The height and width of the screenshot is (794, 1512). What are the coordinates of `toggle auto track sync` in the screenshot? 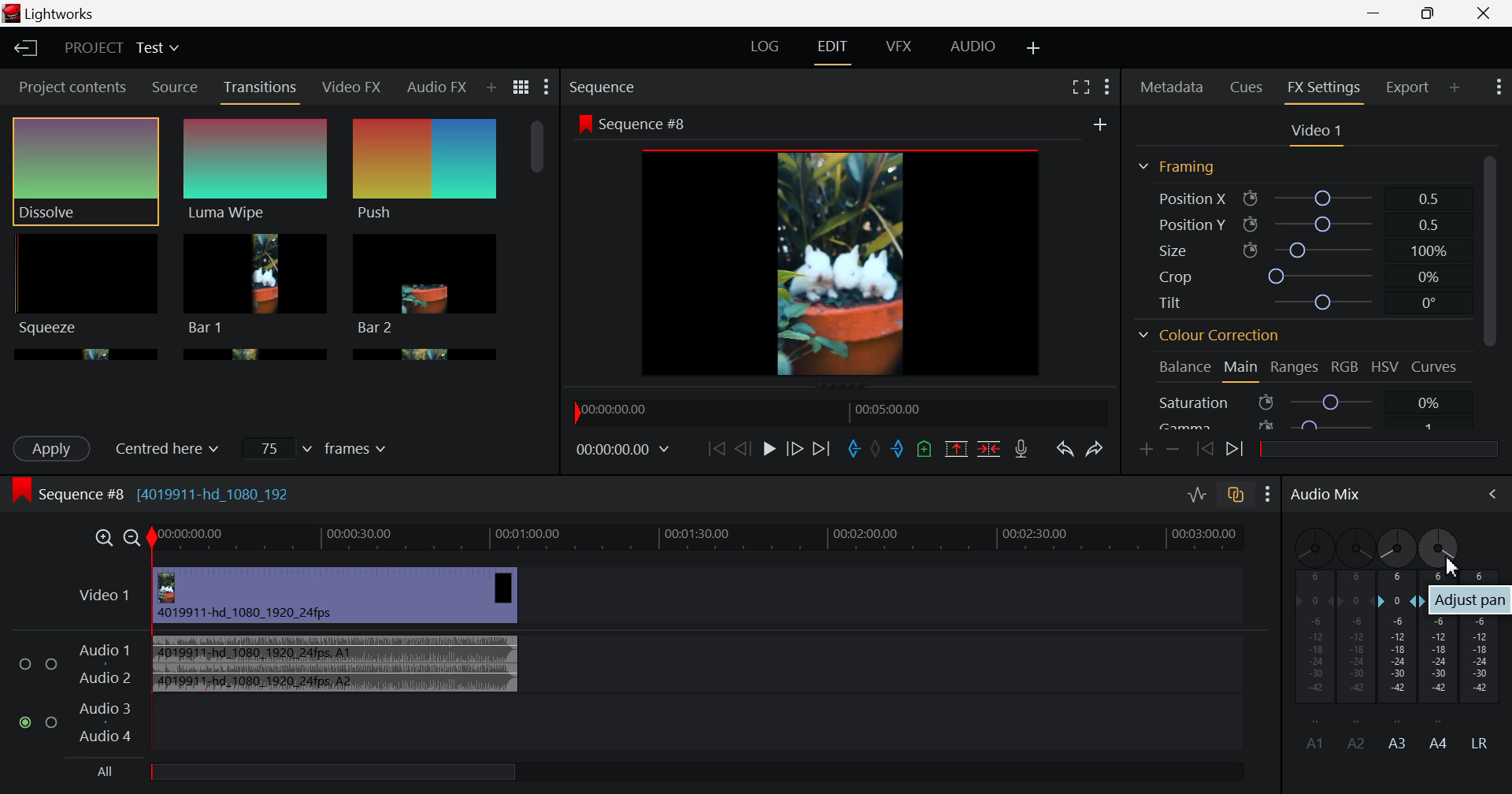 It's located at (1237, 499).